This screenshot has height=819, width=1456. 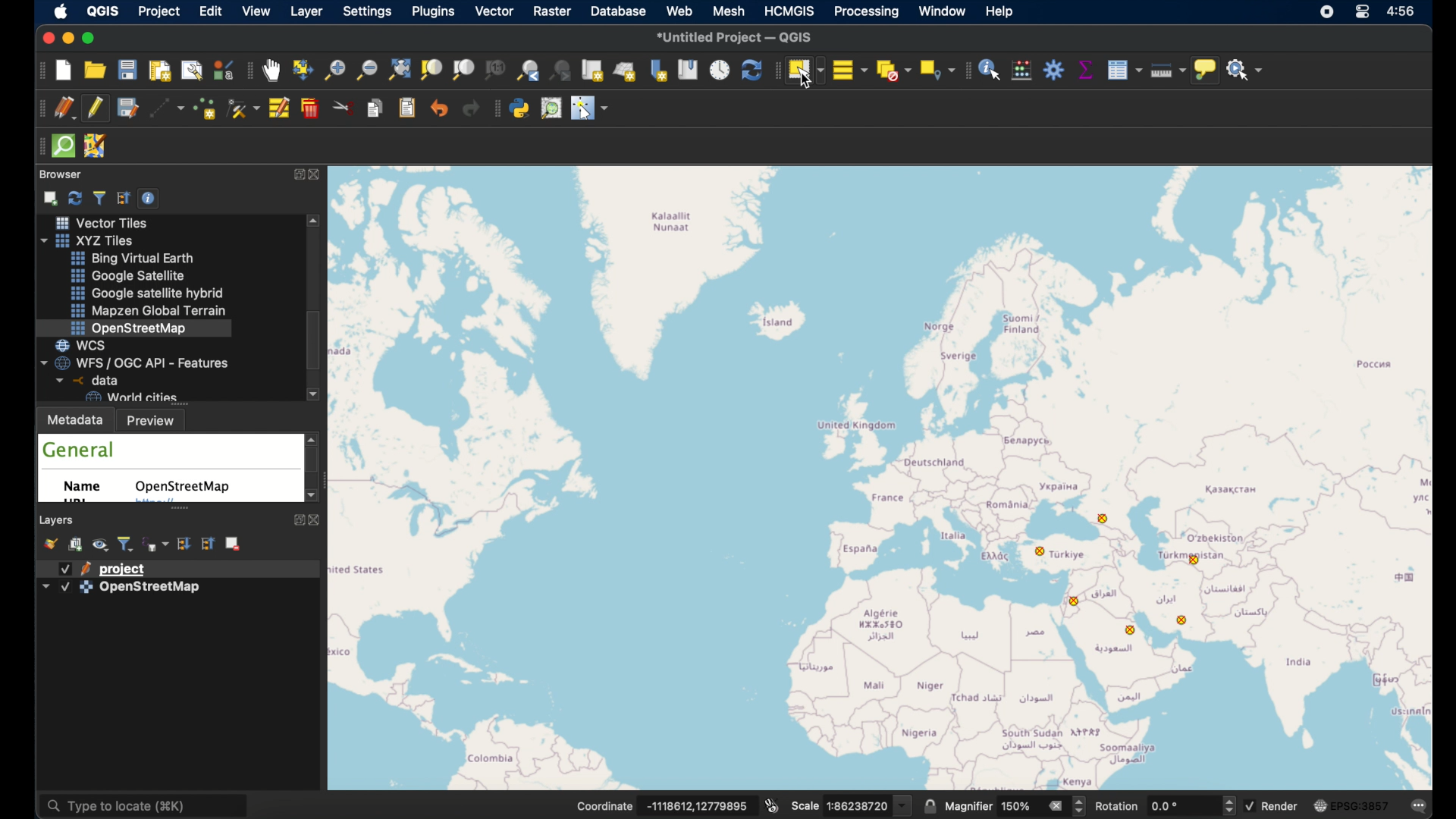 What do you see at coordinates (604, 805) in the screenshot?
I see `Coordinate` at bounding box center [604, 805].